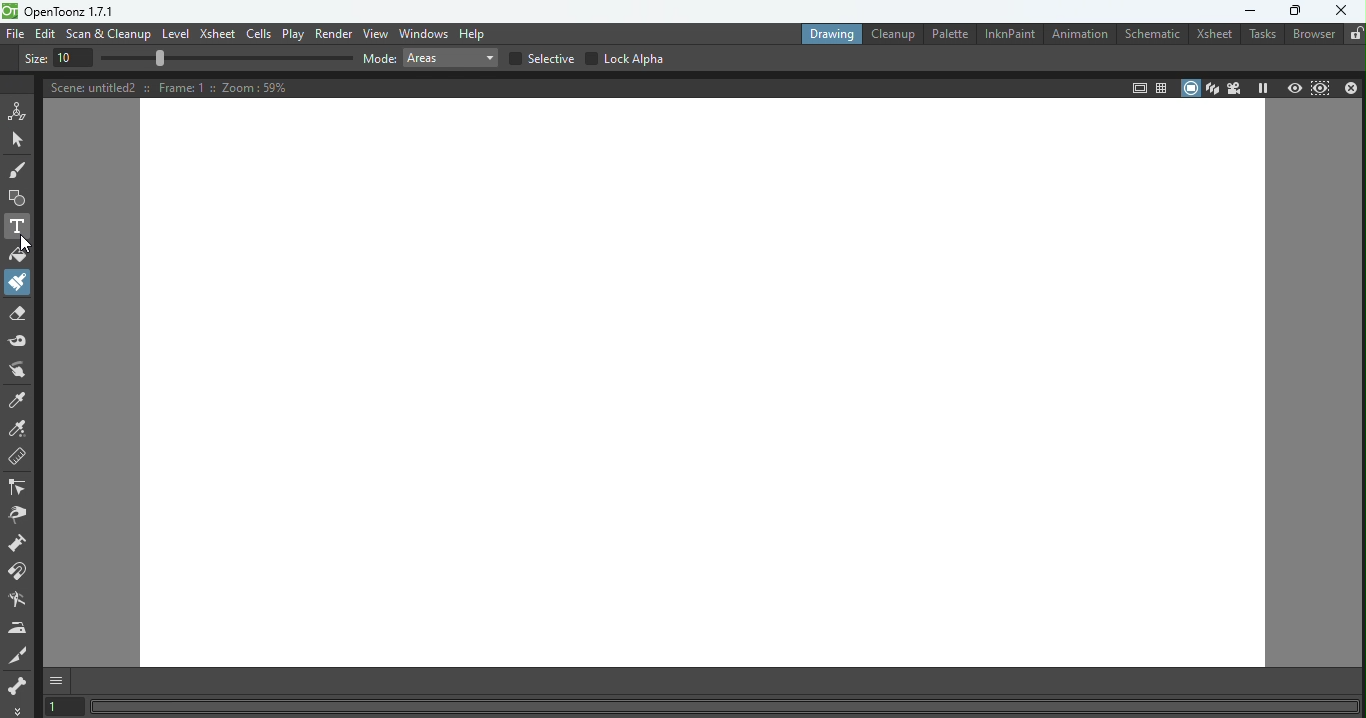 This screenshot has height=718, width=1366. What do you see at coordinates (826, 35) in the screenshot?
I see `Drawing` at bounding box center [826, 35].